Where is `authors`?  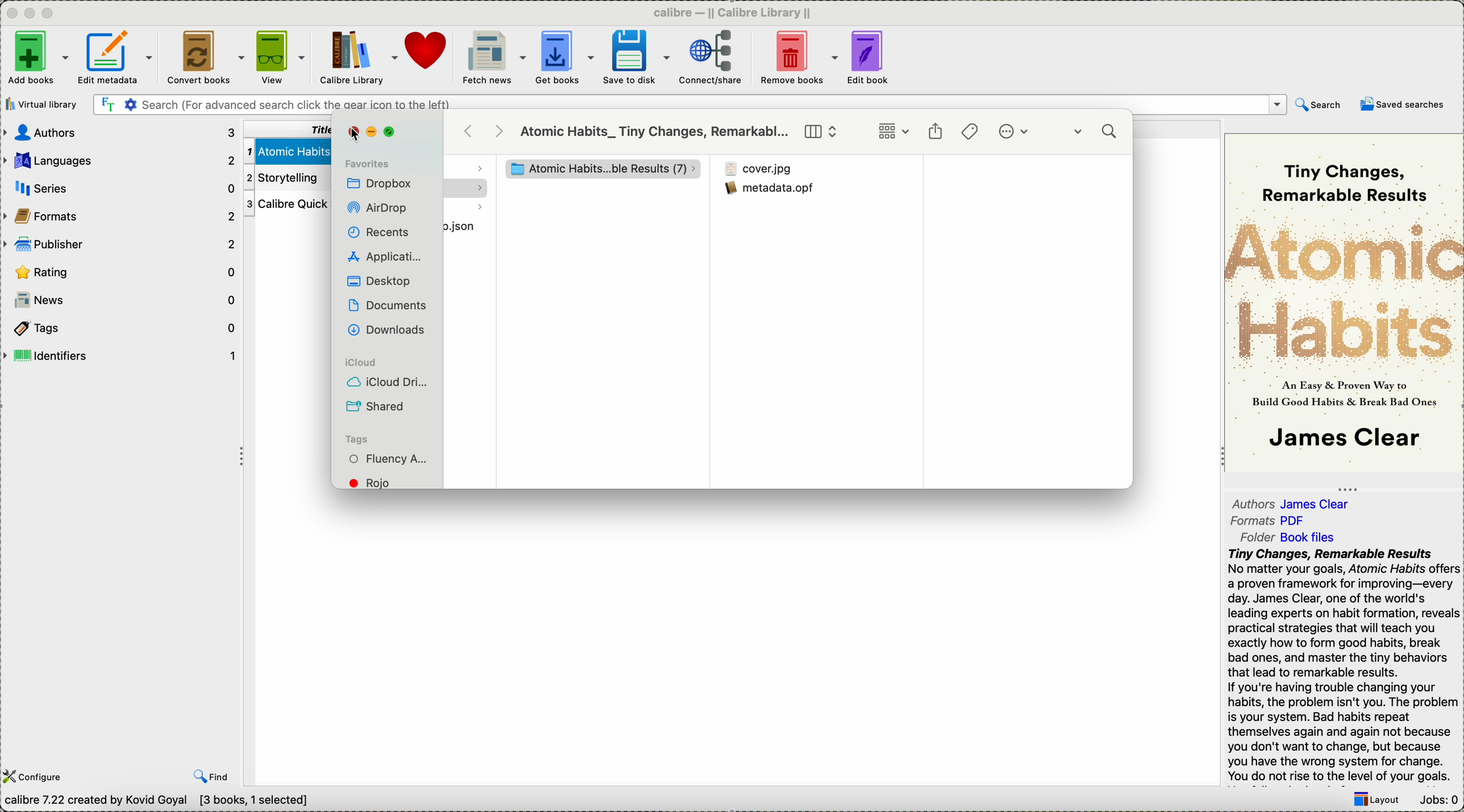 authors is located at coordinates (1294, 501).